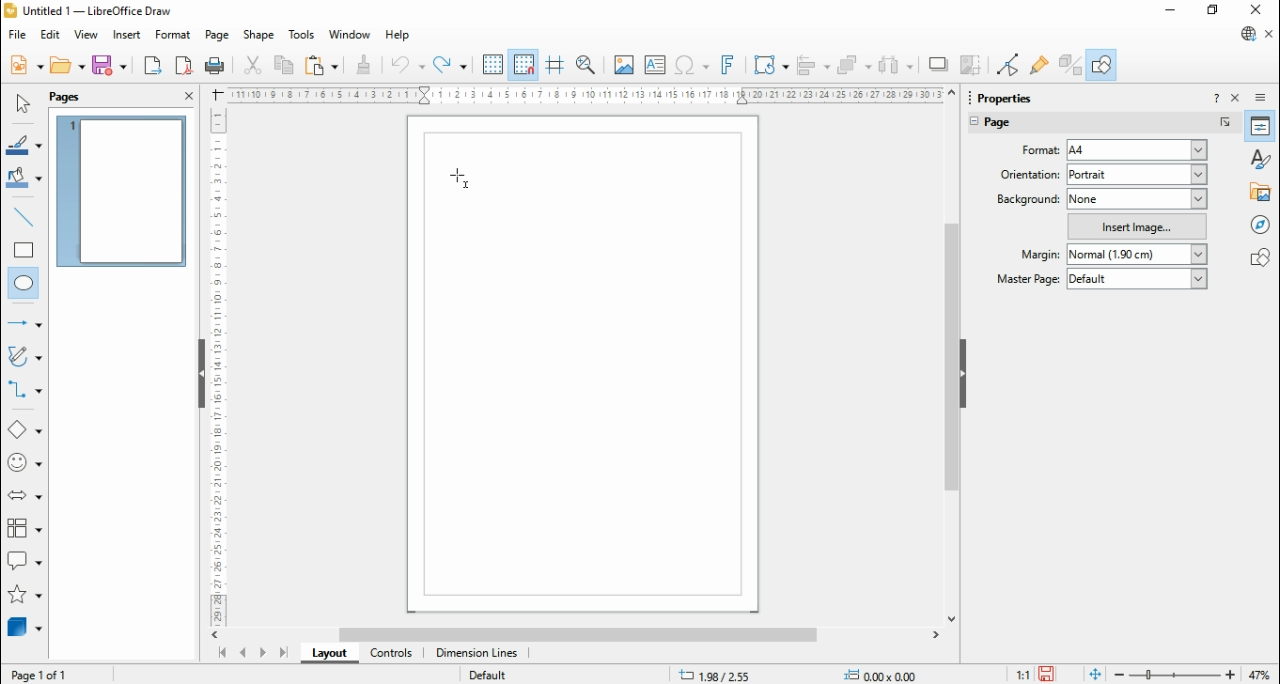 The image size is (1280, 684). I want to click on properties, so click(1261, 126).